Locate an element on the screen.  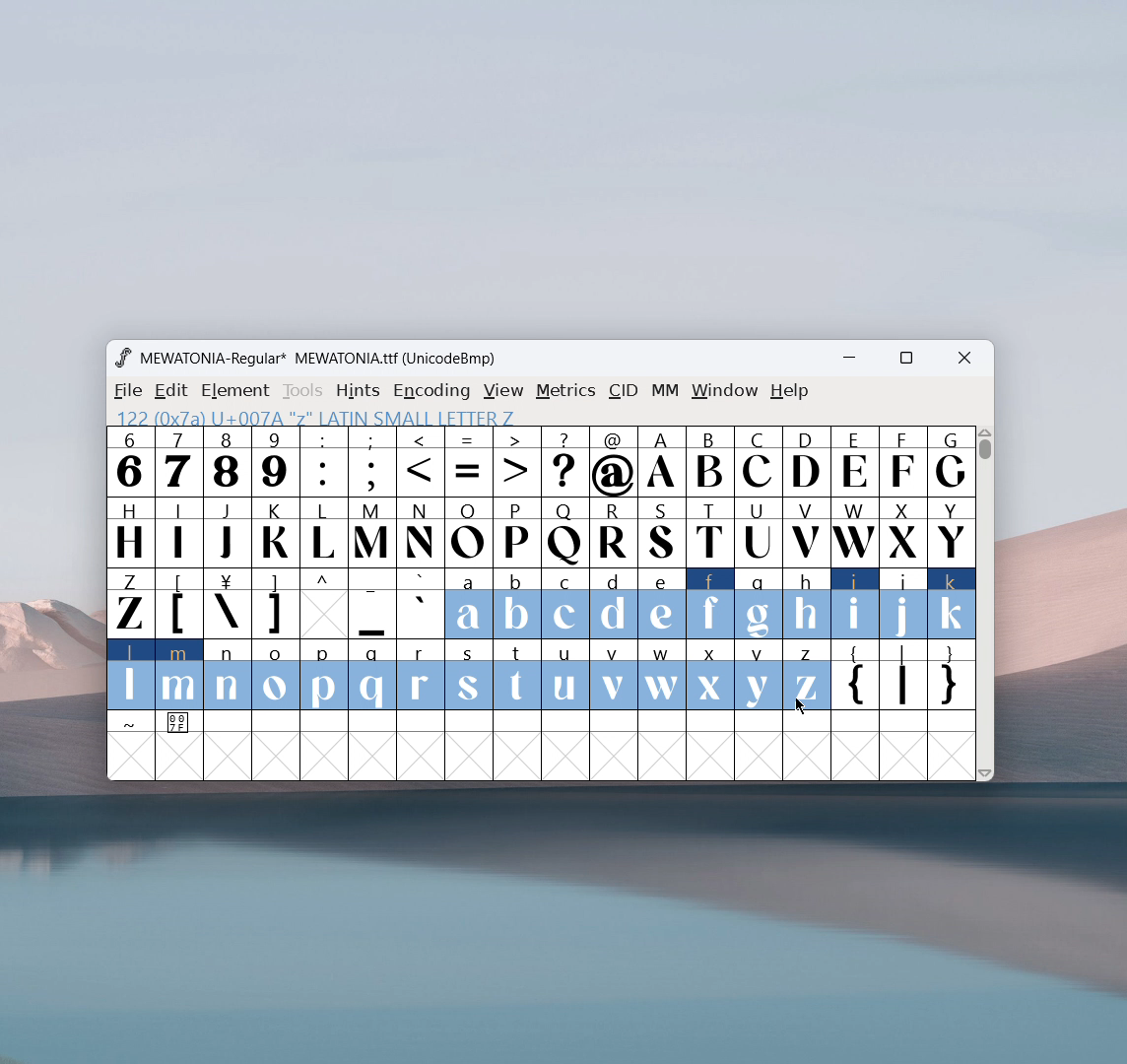
? is located at coordinates (565, 463).